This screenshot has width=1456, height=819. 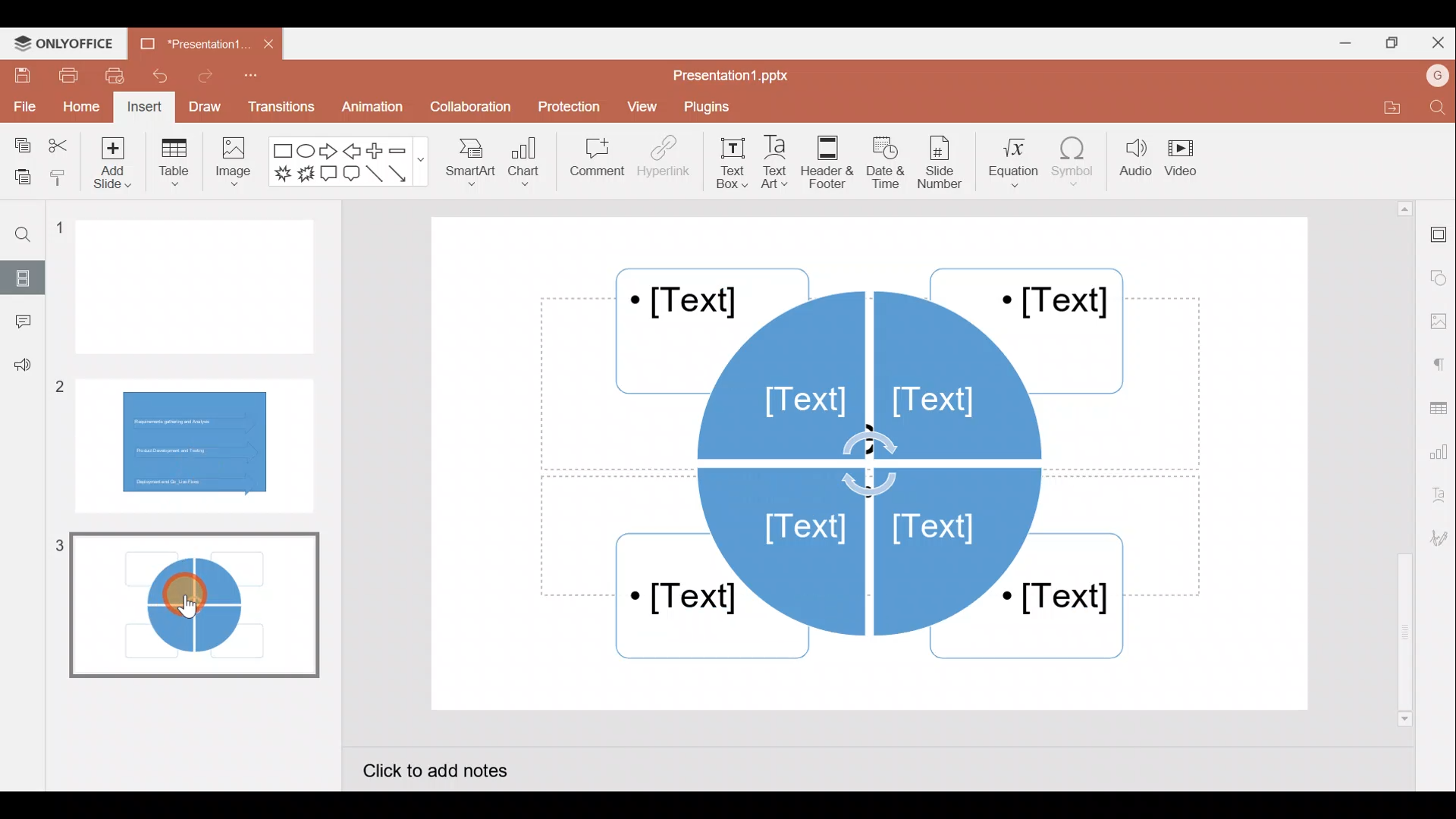 I want to click on Slide 1, so click(x=201, y=288).